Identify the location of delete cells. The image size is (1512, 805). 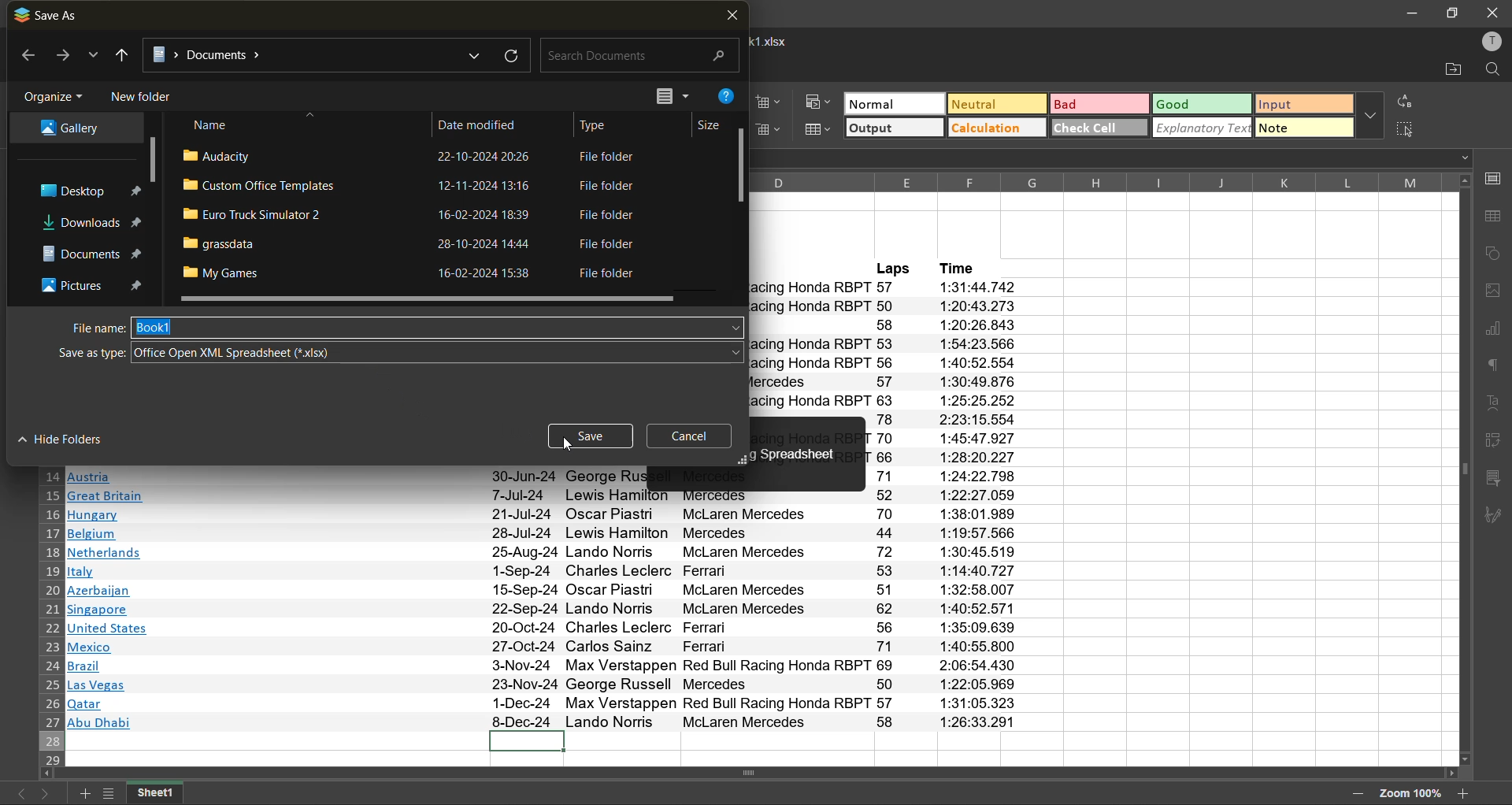
(769, 129).